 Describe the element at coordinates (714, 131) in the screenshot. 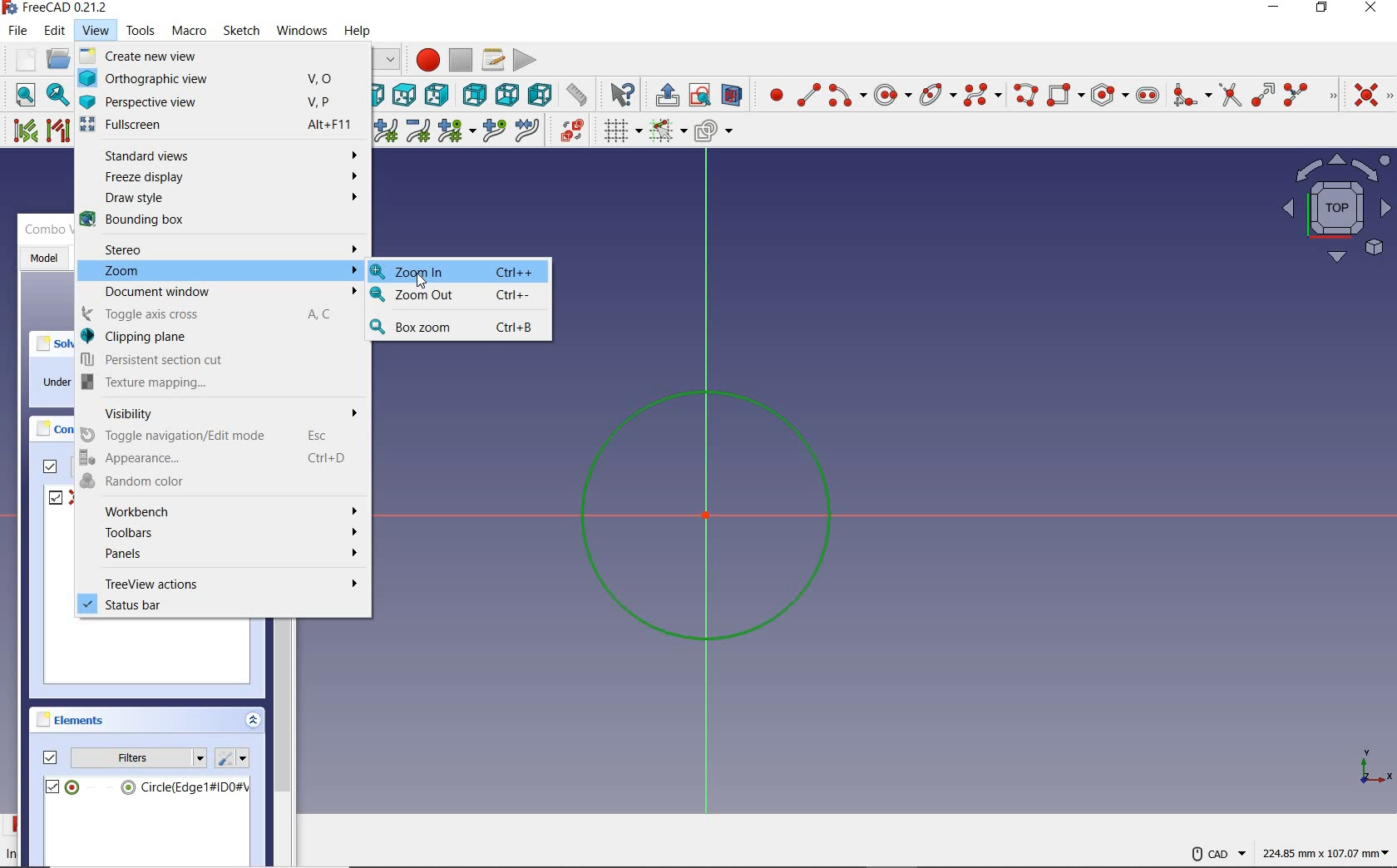

I see `configure rendering order` at that location.